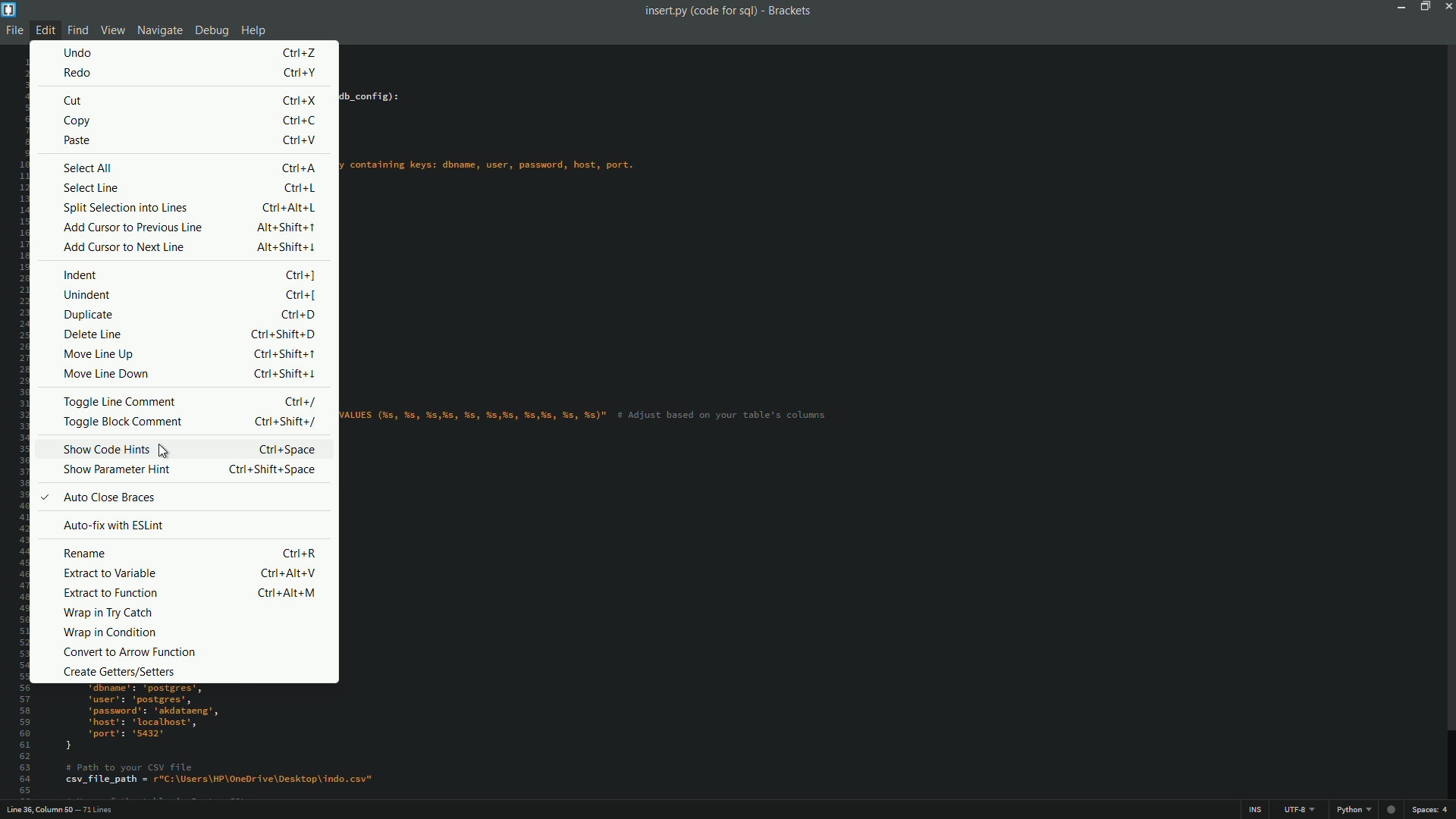 The width and height of the screenshot is (1456, 819). What do you see at coordinates (298, 73) in the screenshot?
I see `keyboard shortcut` at bounding box center [298, 73].